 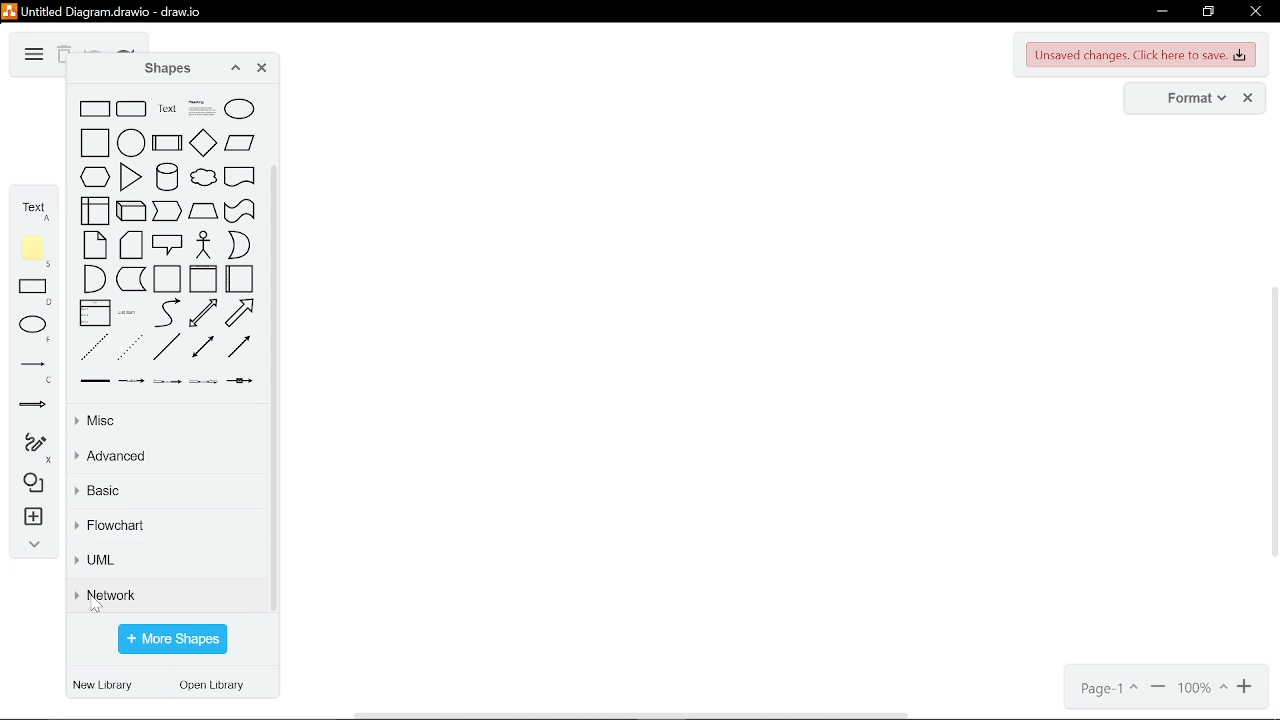 What do you see at coordinates (36, 293) in the screenshot?
I see `rectangle` at bounding box center [36, 293].